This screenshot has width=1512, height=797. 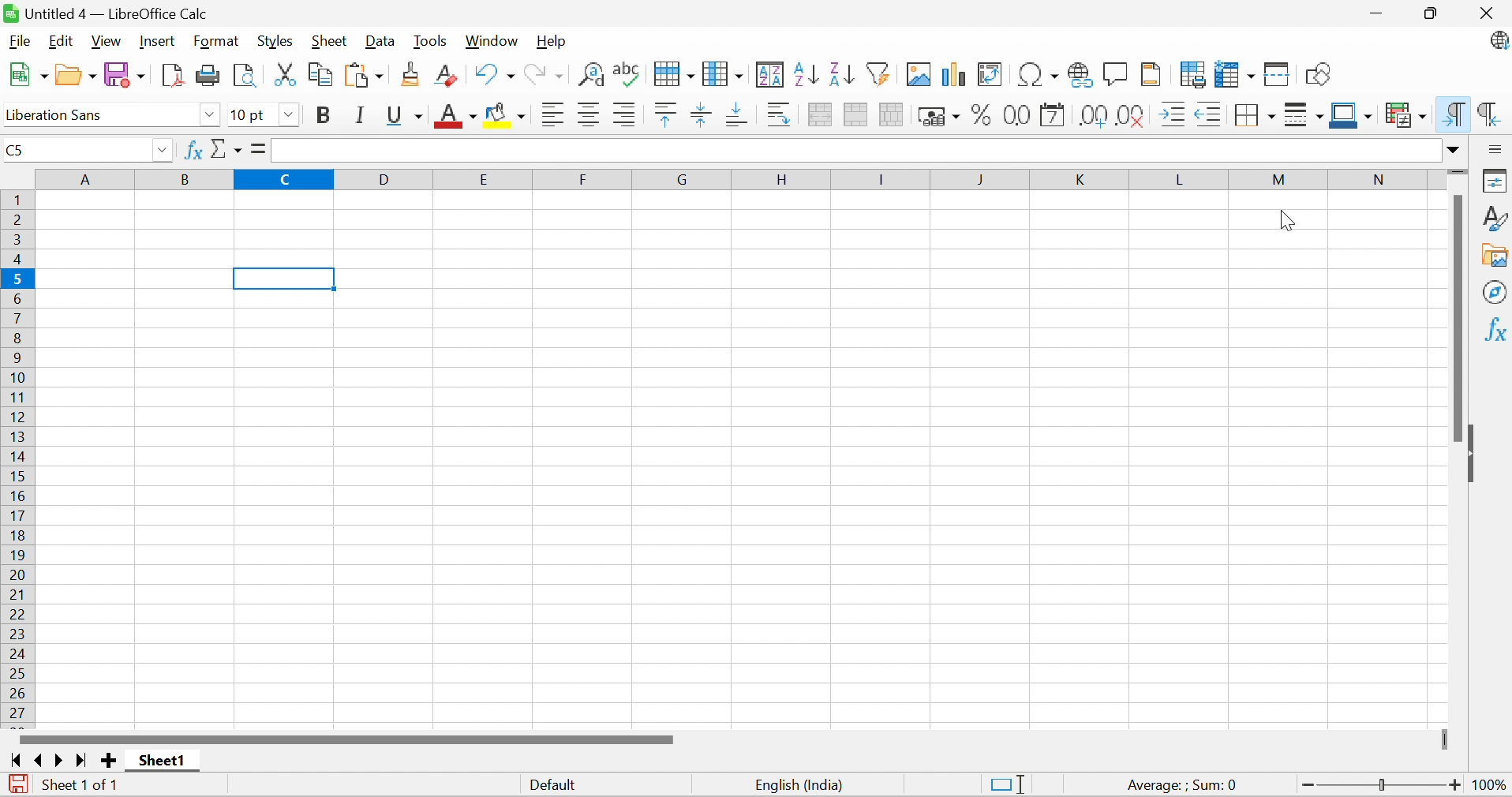 What do you see at coordinates (821, 114) in the screenshot?
I see `Merge and center or unmerge cells depending on the current toggle state` at bounding box center [821, 114].